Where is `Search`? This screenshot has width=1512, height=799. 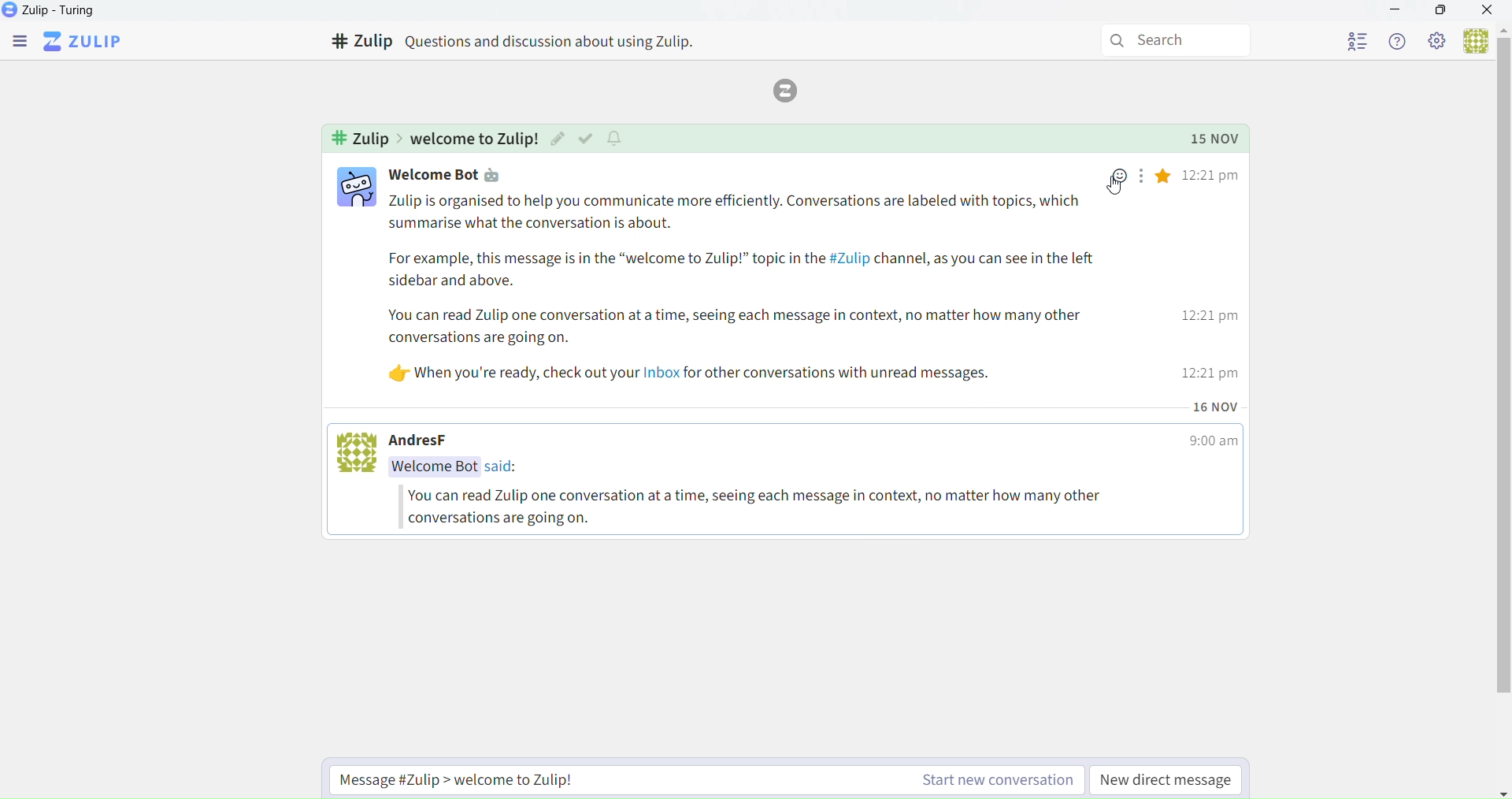
Search is located at coordinates (1169, 38).